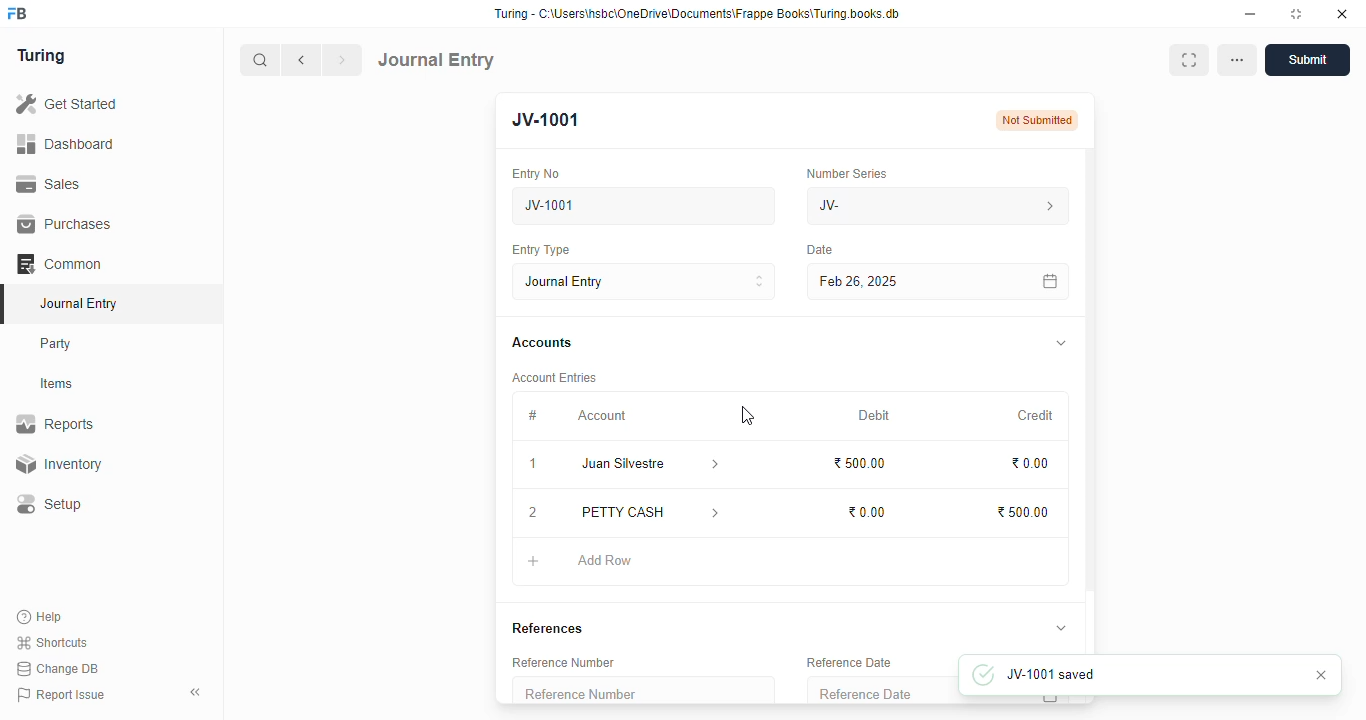 This screenshot has width=1366, height=720. Describe the element at coordinates (1188, 60) in the screenshot. I see `toggle between form and full width` at that location.